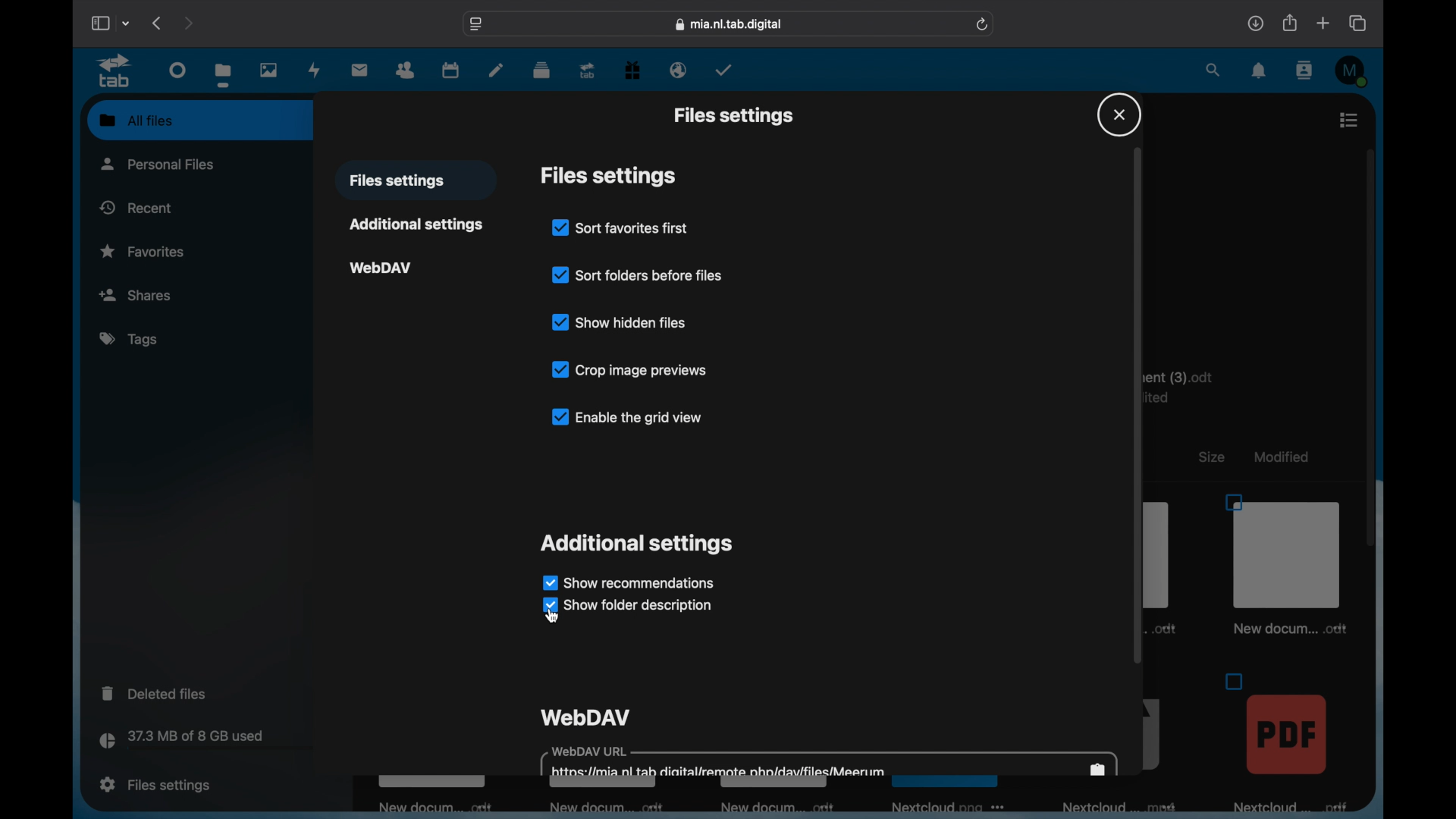 This screenshot has width=1456, height=819. Describe the element at coordinates (431, 805) in the screenshot. I see `new document` at that location.